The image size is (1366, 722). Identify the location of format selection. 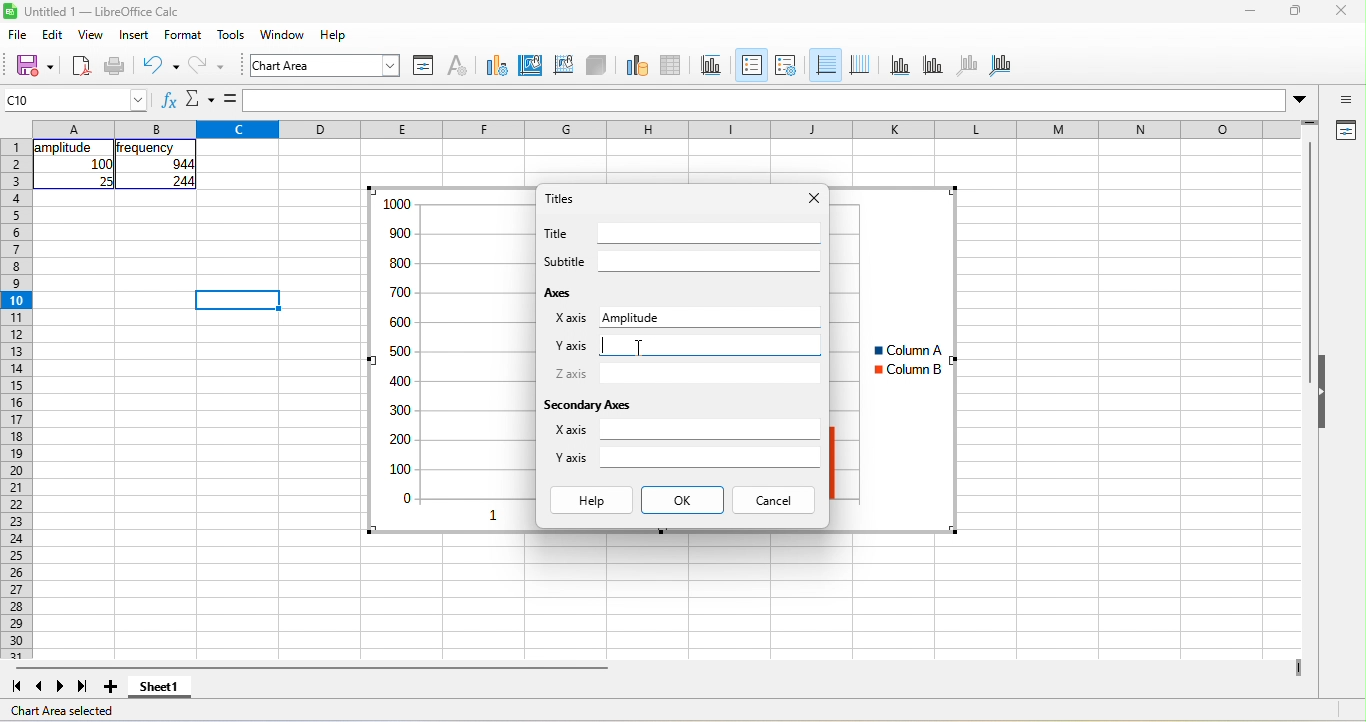
(424, 66).